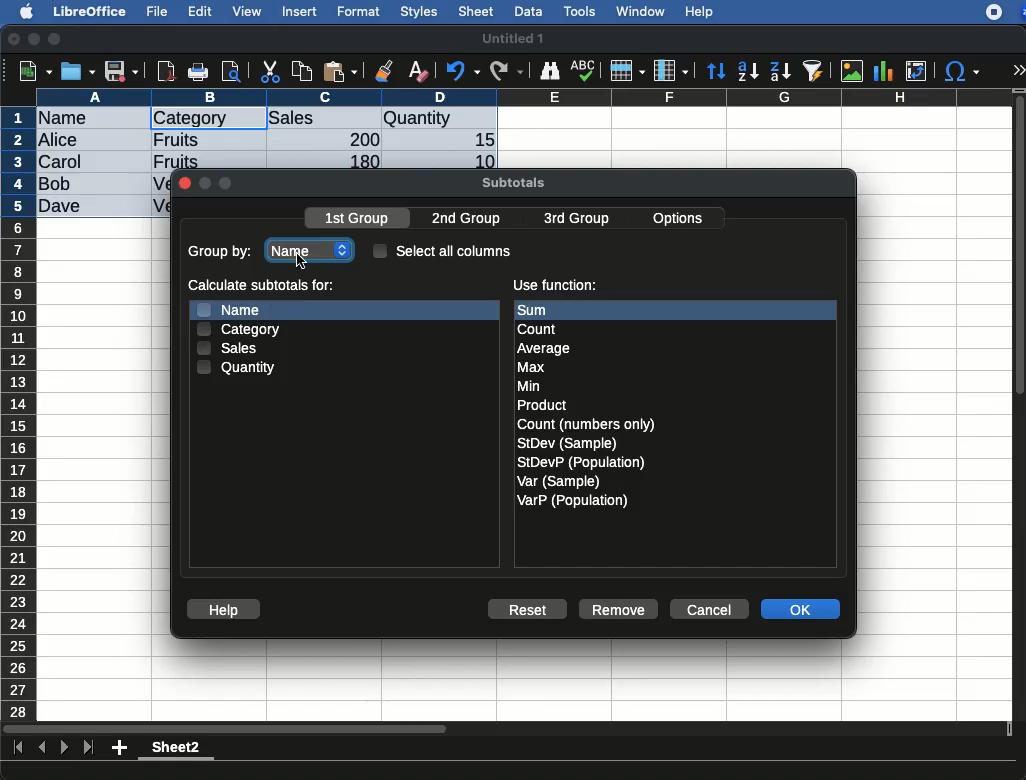  I want to click on selected, so click(246, 118).